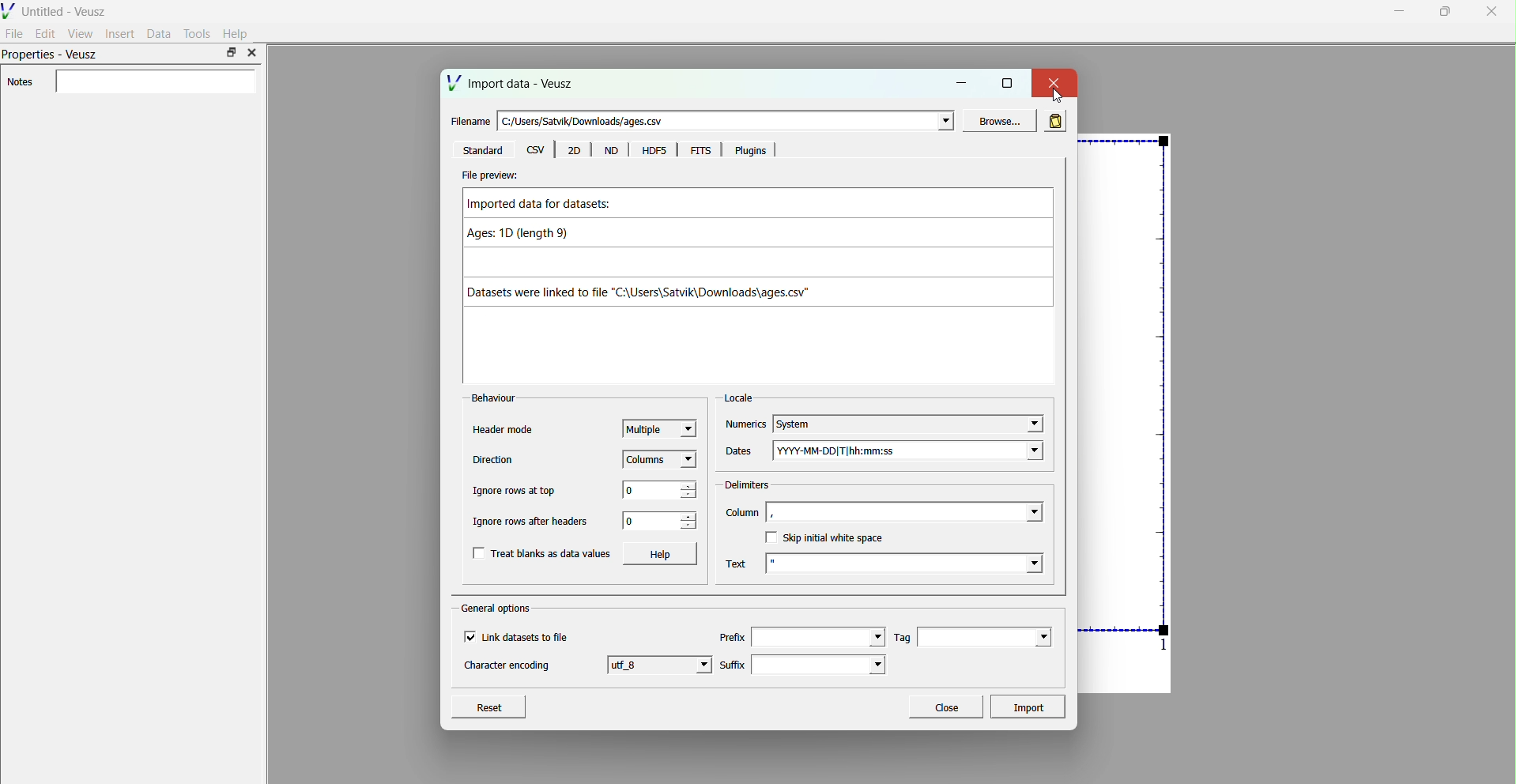 This screenshot has width=1516, height=784. Describe the element at coordinates (1053, 81) in the screenshot. I see `close` at that location.